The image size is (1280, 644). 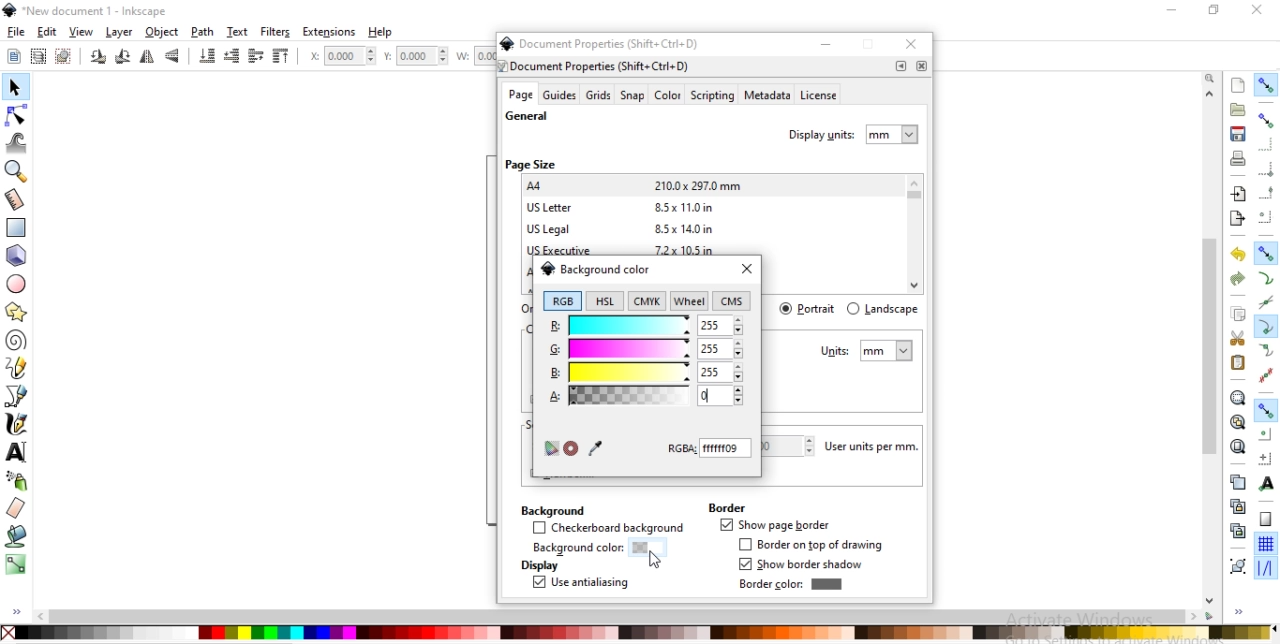 I want to click on bordercolor, so click(x=790, y=584).